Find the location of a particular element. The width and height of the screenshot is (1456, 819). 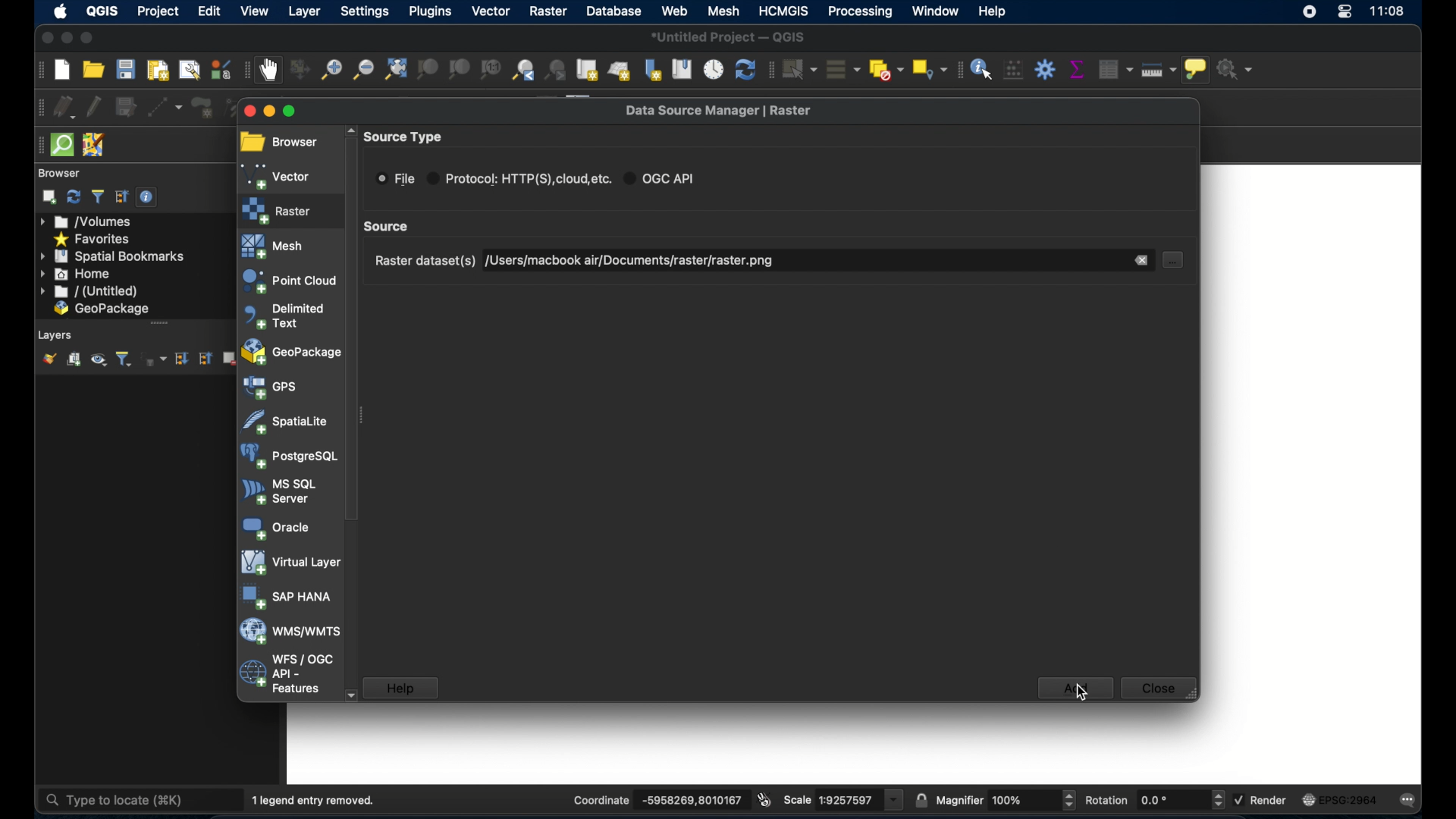

ile radio button is located at coordinates (395, 179).